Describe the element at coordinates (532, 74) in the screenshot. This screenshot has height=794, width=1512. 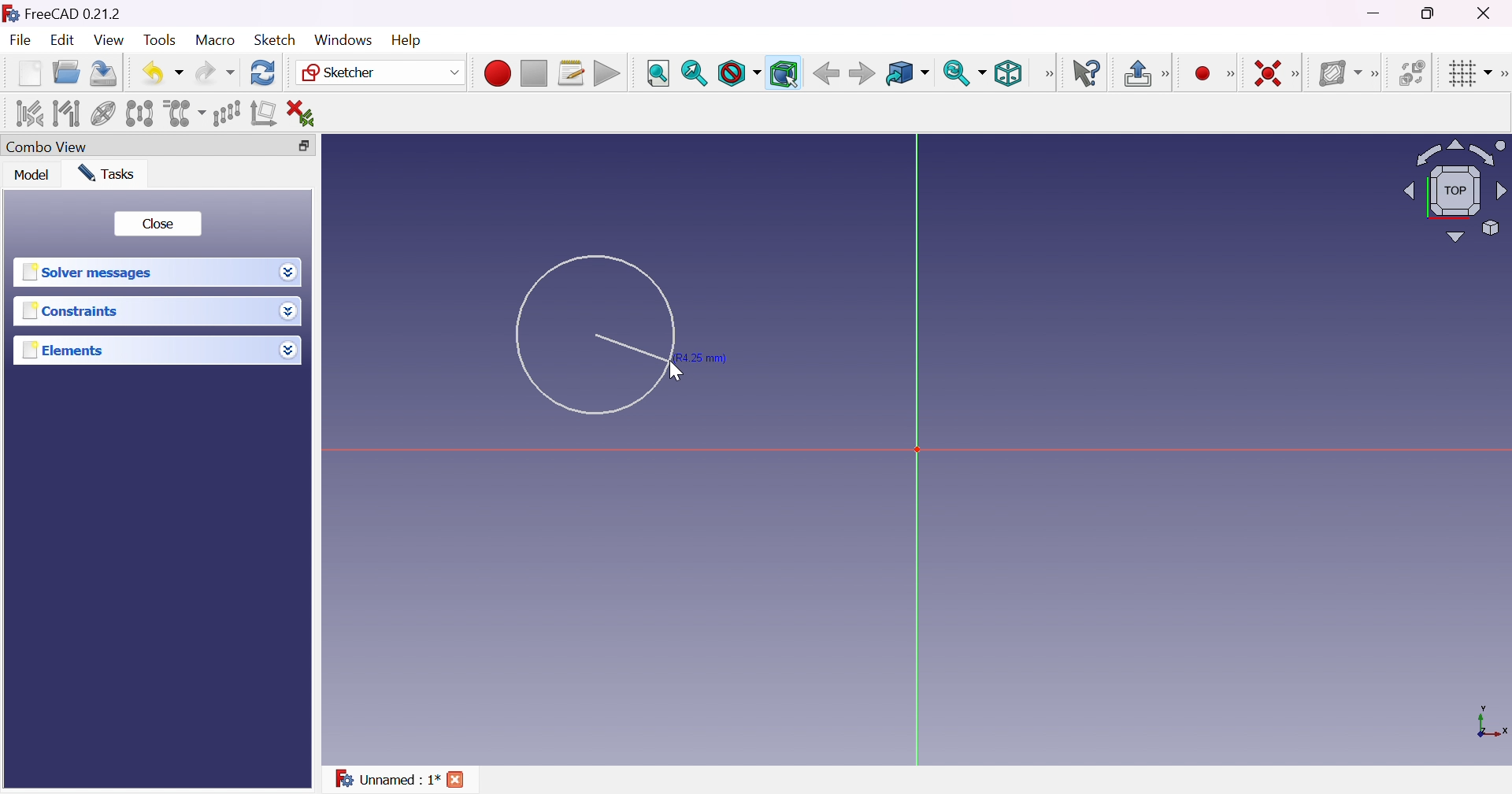
I see `Stop macro recording` at that location.